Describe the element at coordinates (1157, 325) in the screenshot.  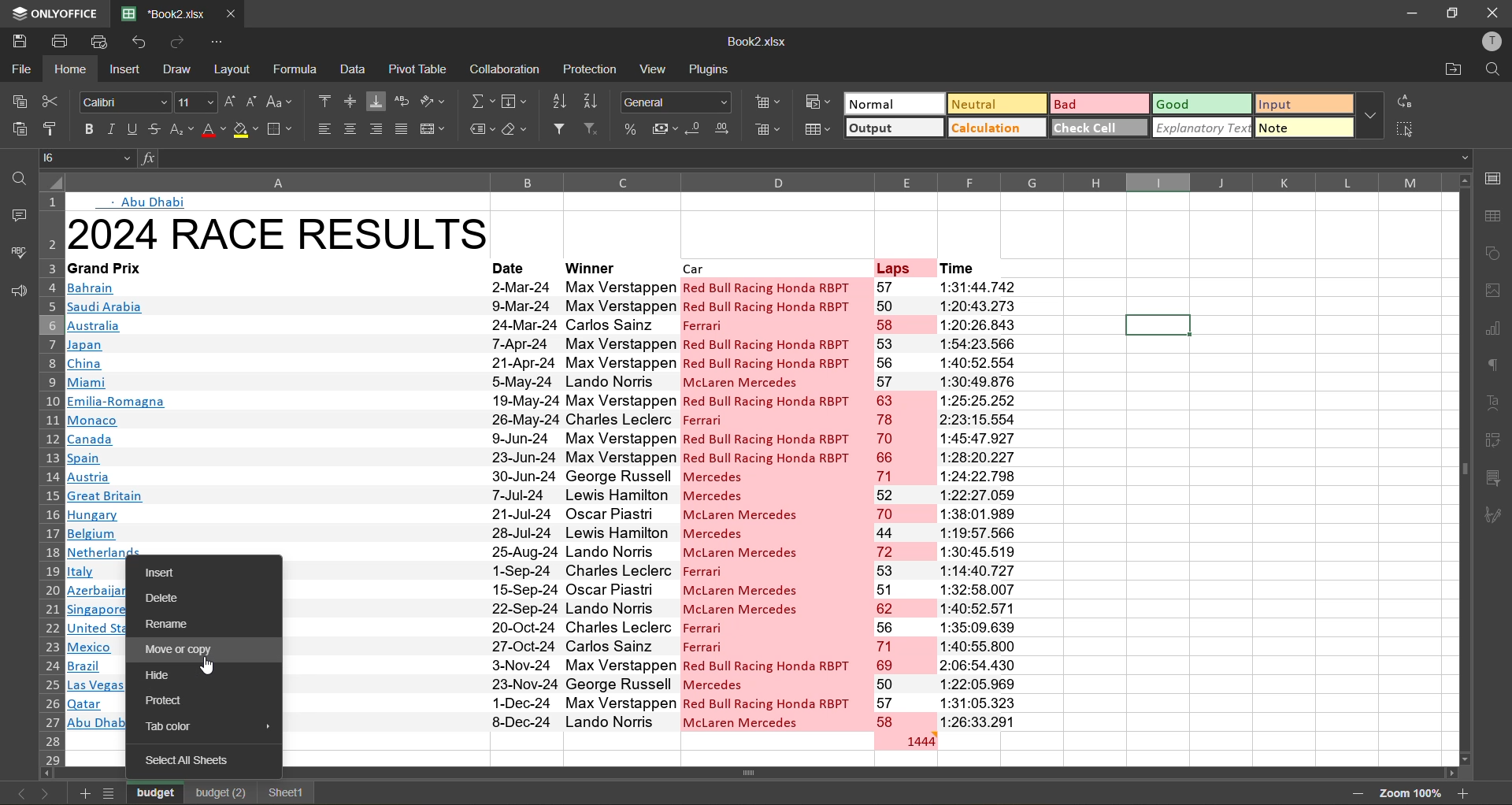
I see `selected cell` at that location.